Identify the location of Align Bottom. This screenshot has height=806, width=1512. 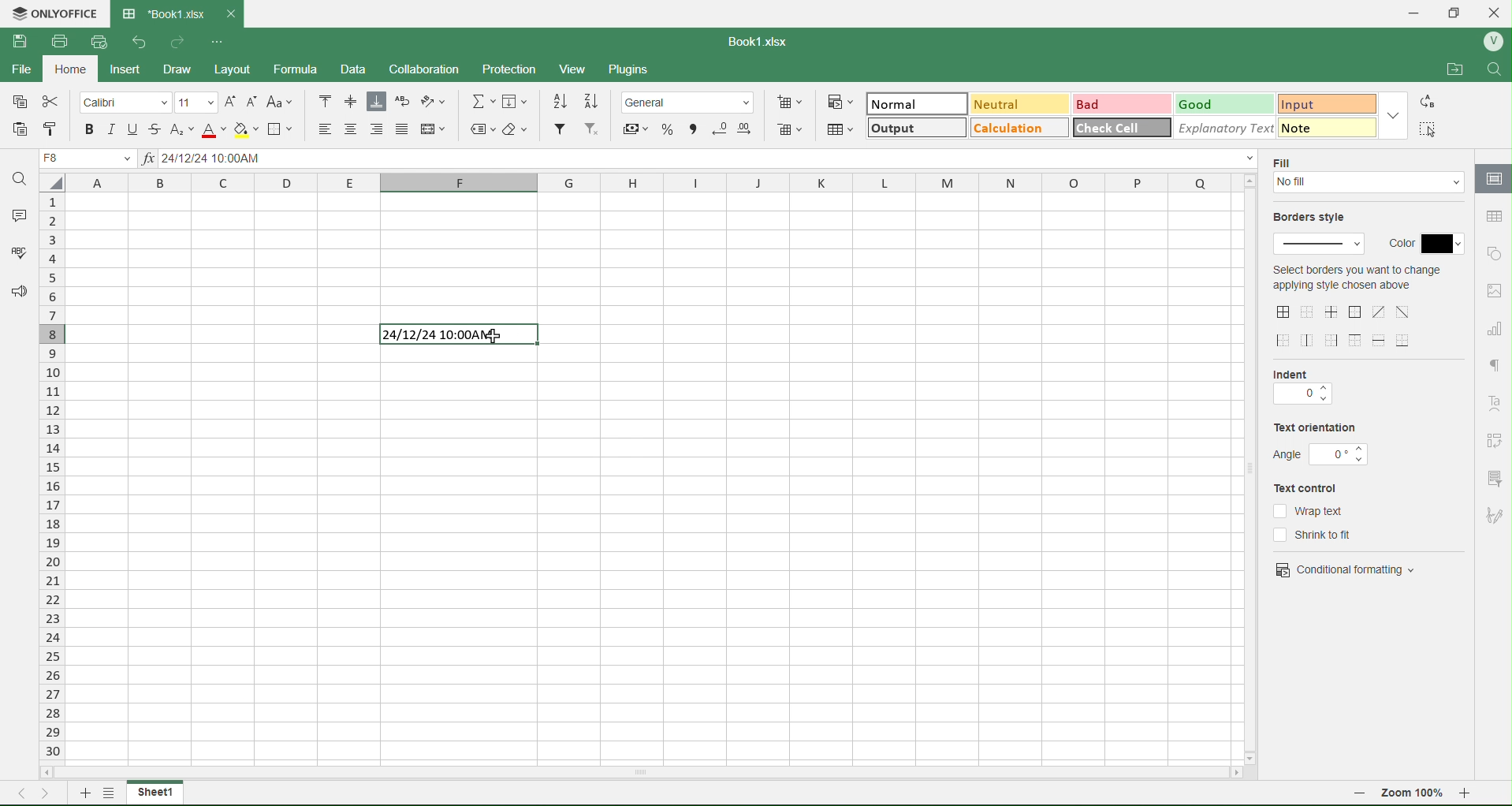
(377, 103).